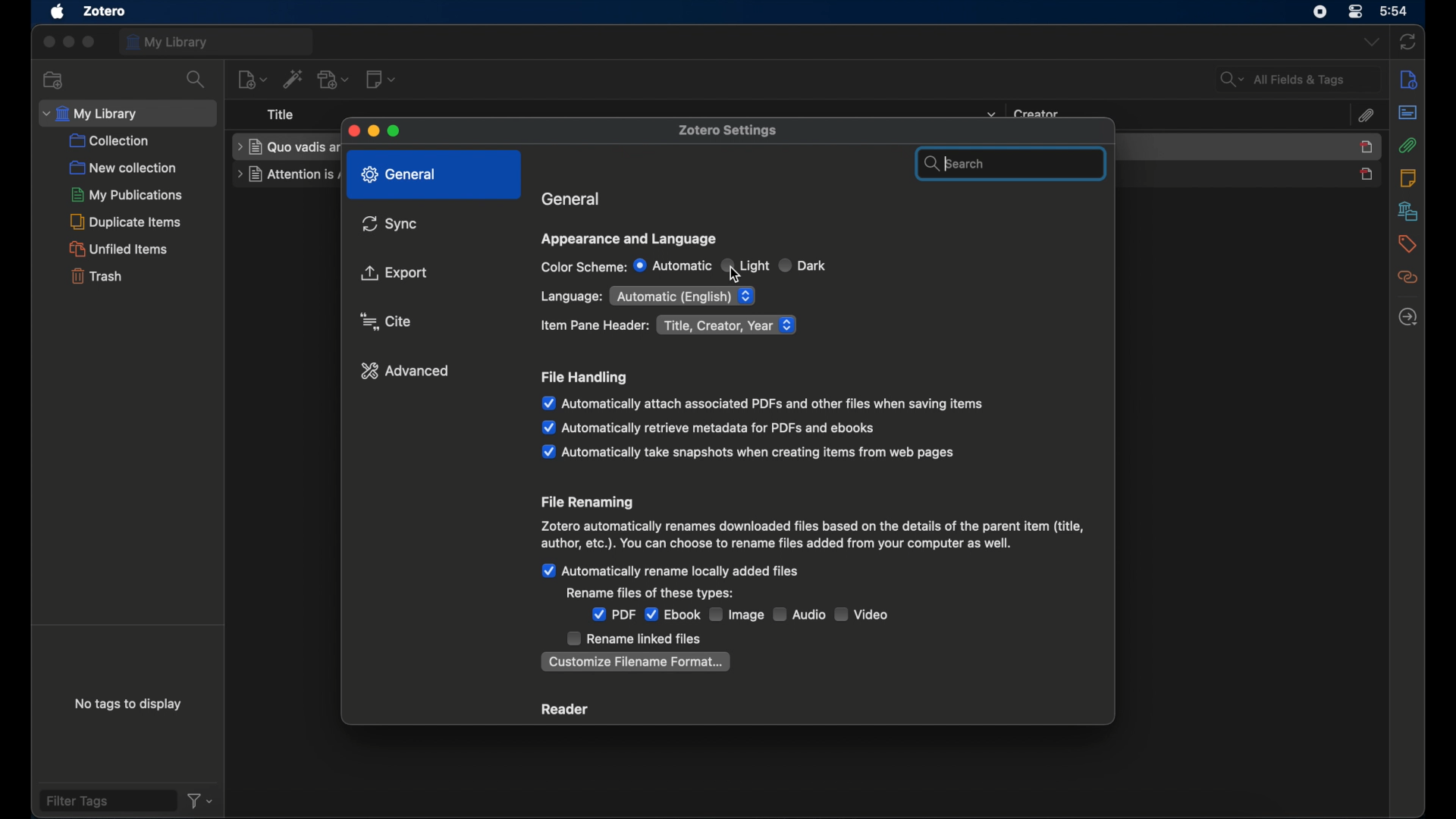  Describe the element at coordinates (129, 195) in the screenshot. I see `my publications` at that location.